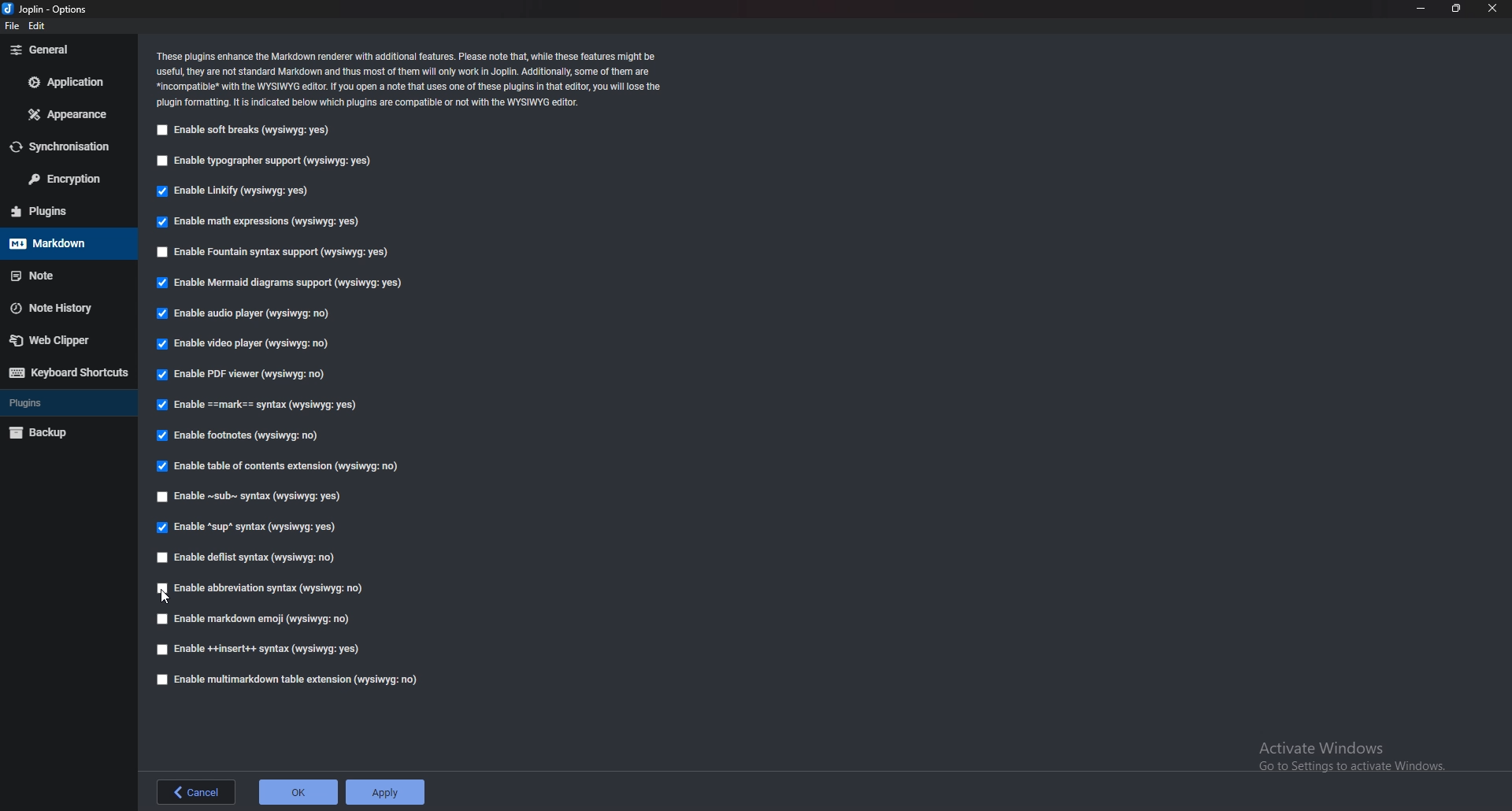  I want to click on resize, so click(1455, 9).